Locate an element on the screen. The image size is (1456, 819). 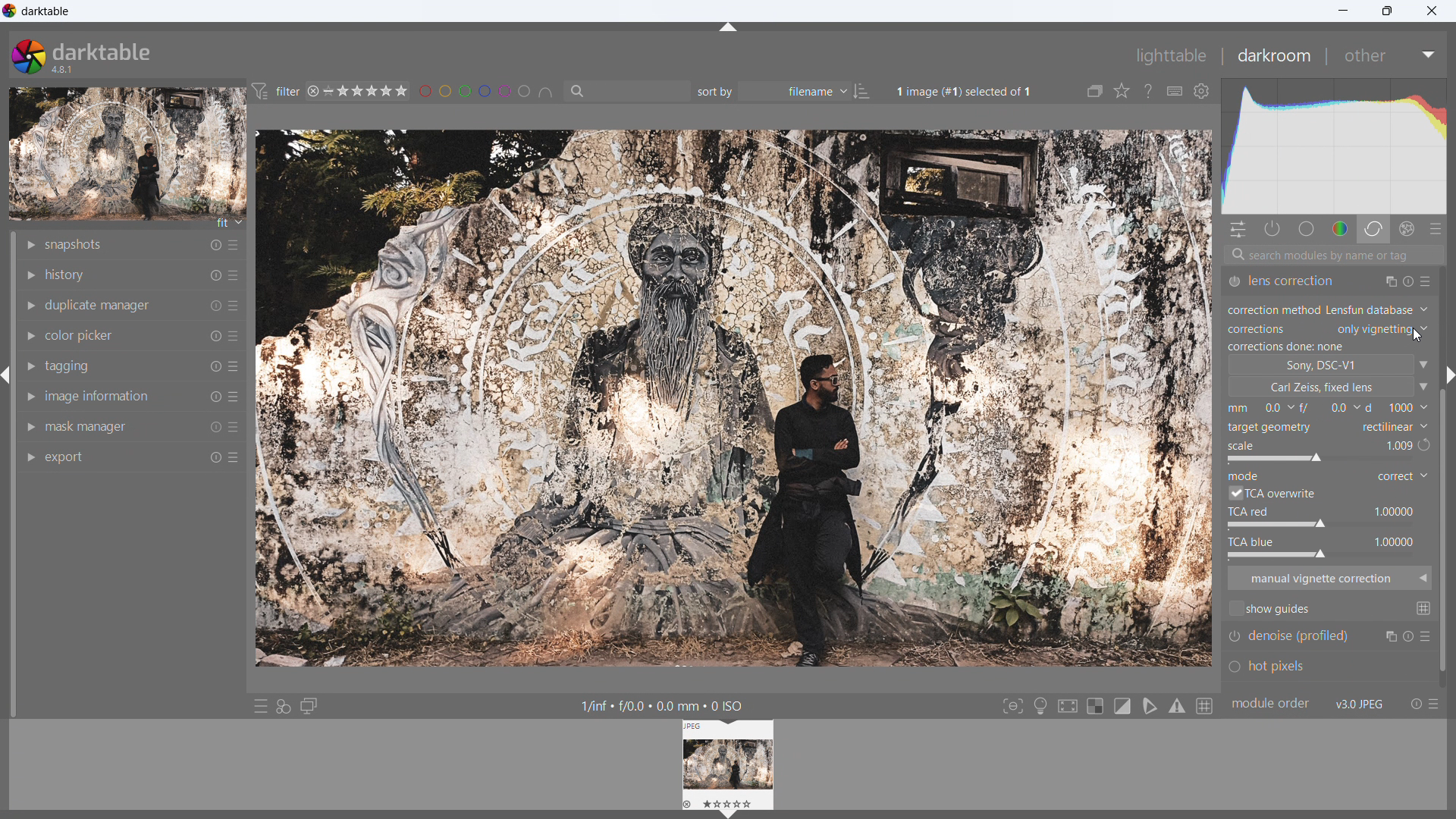
focal length is located at coordinates (1260, 409).